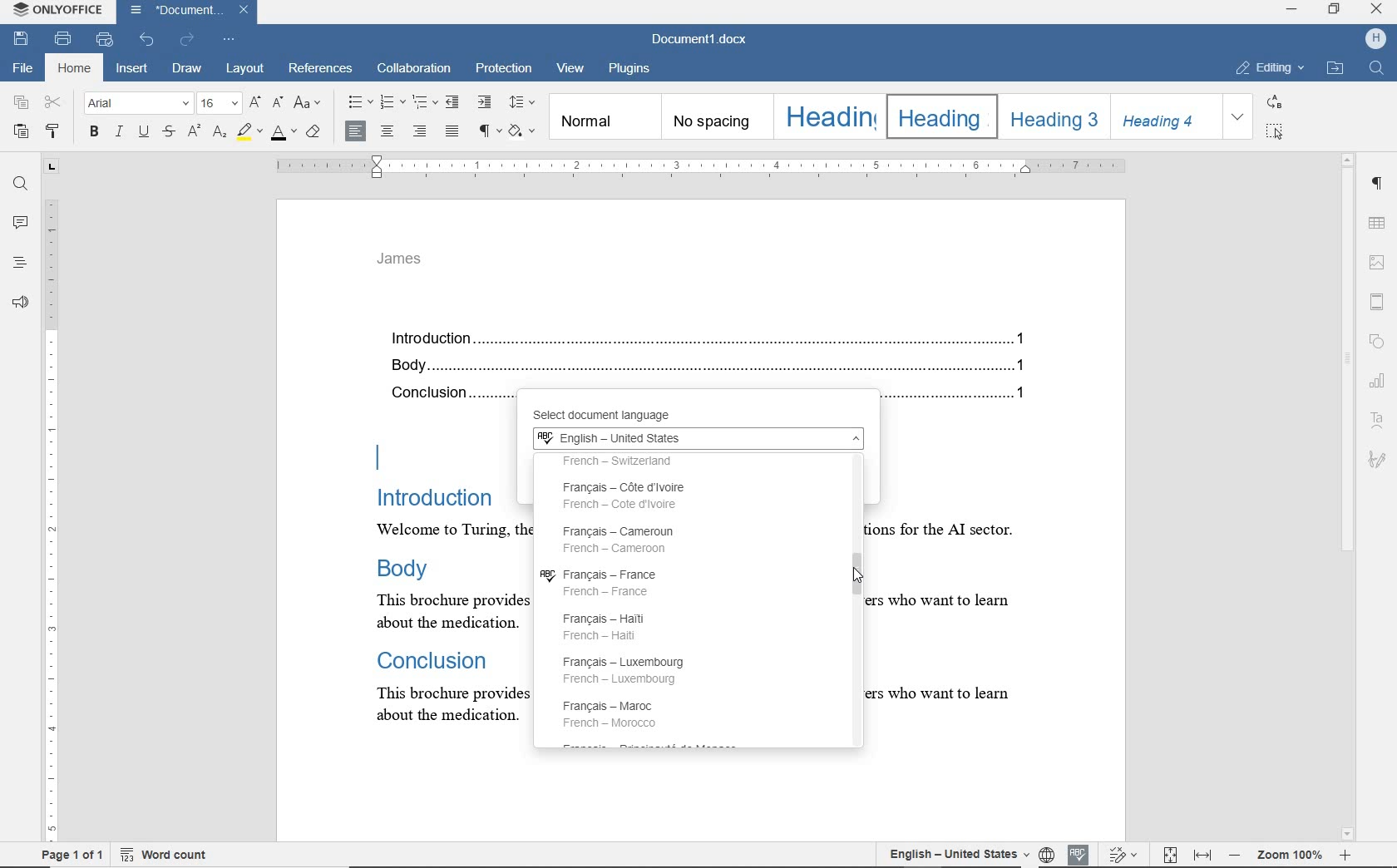  I want to click on SELECT ALL, so click(1276, 131).